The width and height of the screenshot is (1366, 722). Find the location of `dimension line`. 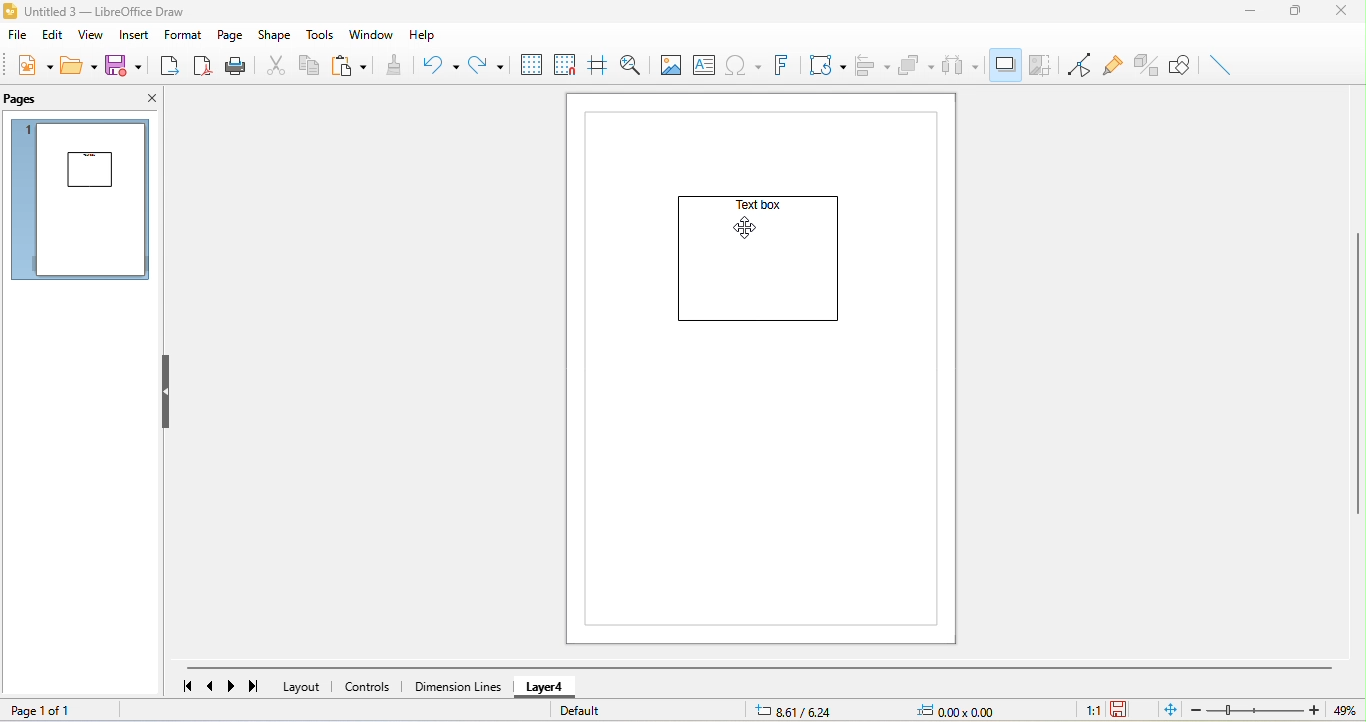

dimension line is located at coordinates (456, 685).